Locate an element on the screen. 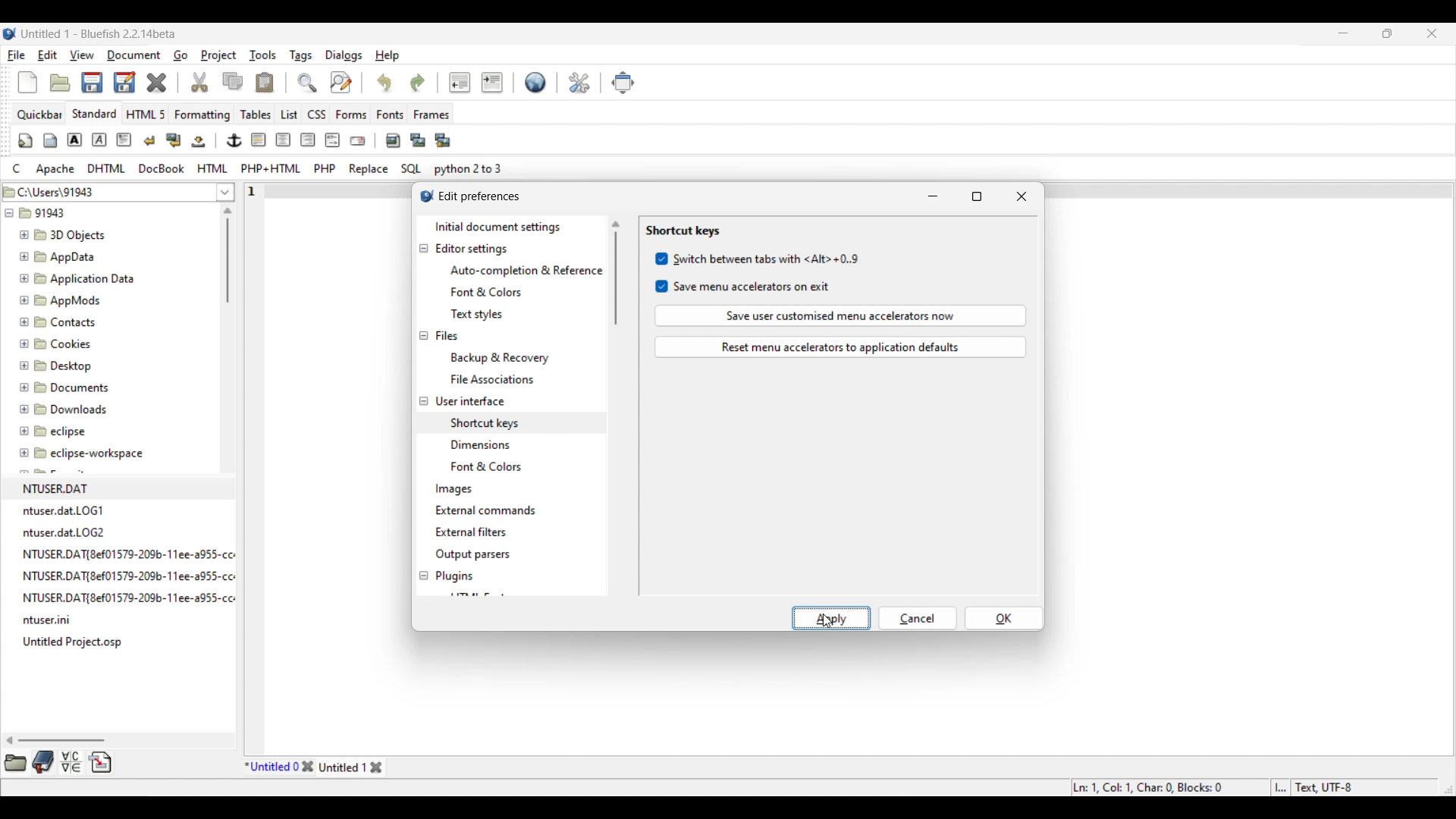 The image size is (1456, 819). Save user customized menu accelerators now is located at coordinates (841, 315).